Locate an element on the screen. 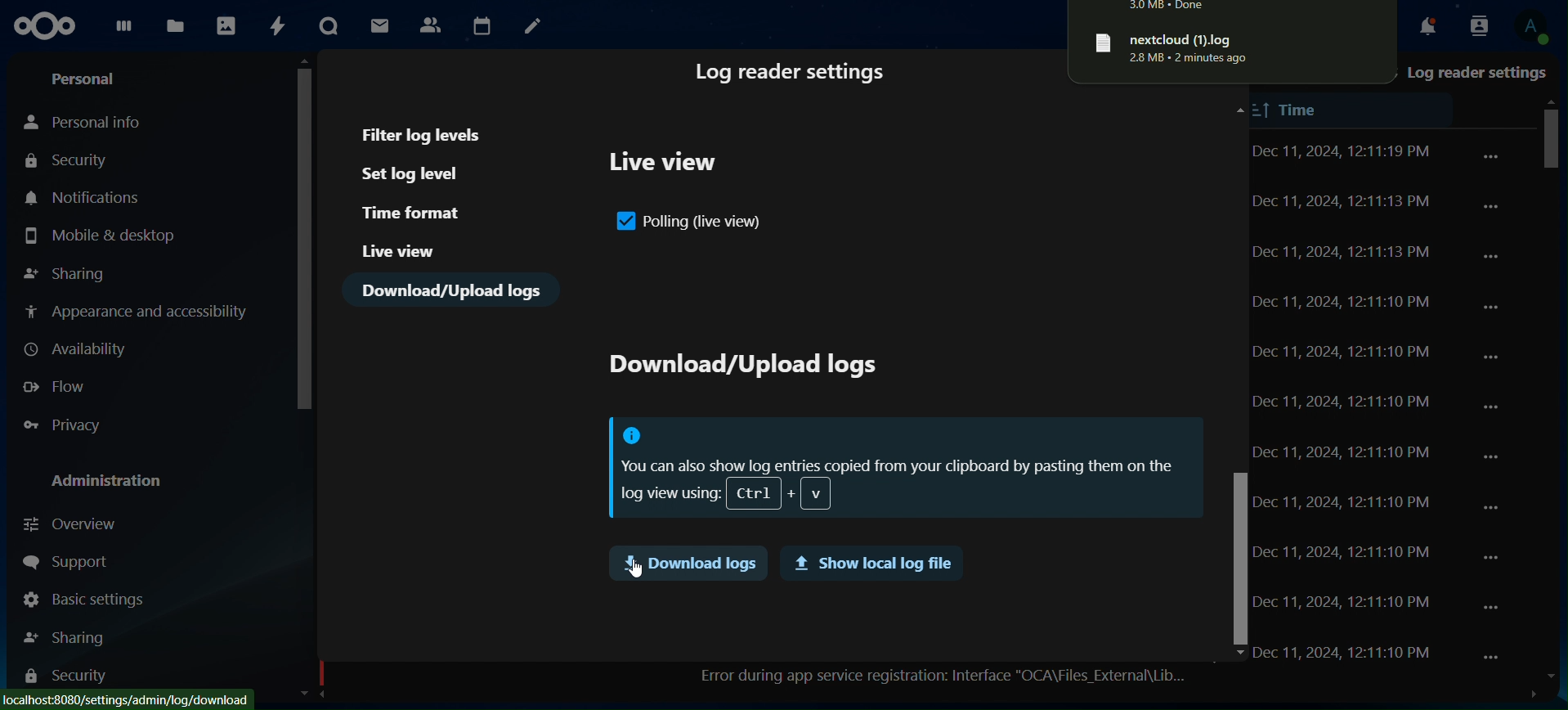  support is located at coordinates (65, 561).